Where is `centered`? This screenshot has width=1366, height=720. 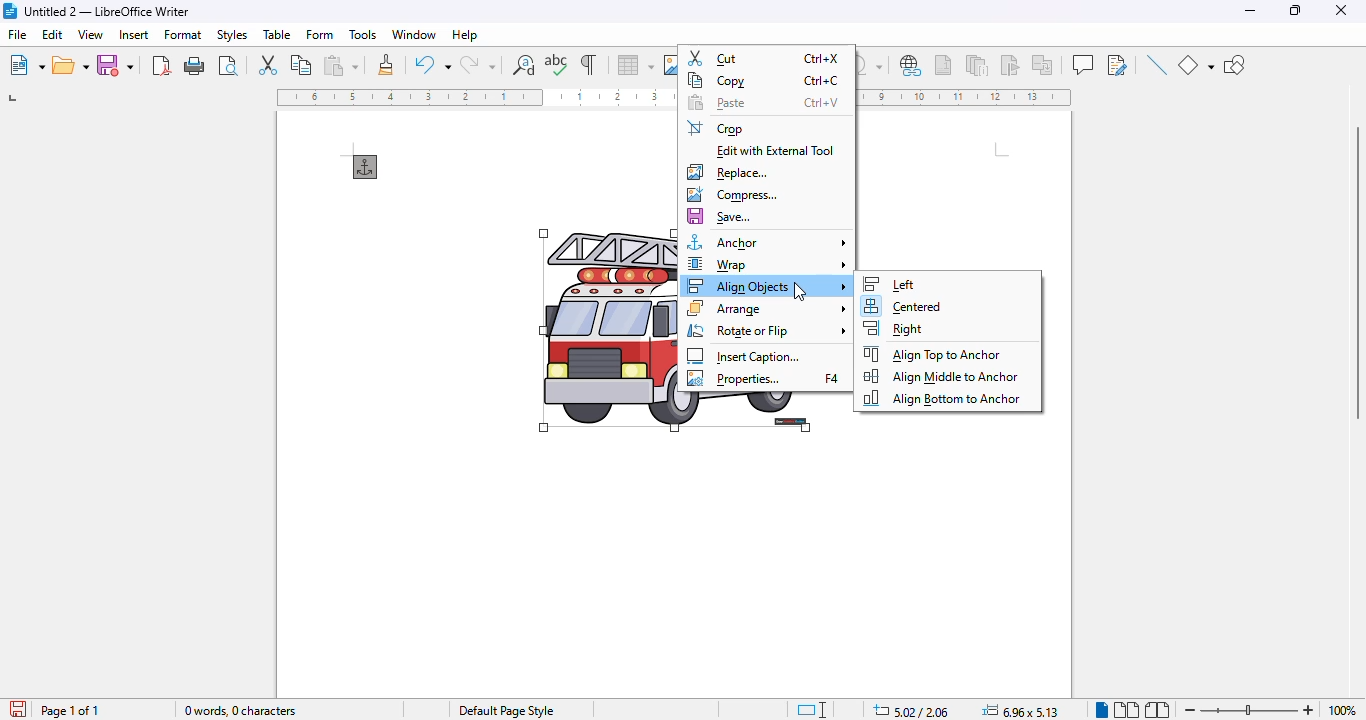
centered is located at coordinates (902, 307).